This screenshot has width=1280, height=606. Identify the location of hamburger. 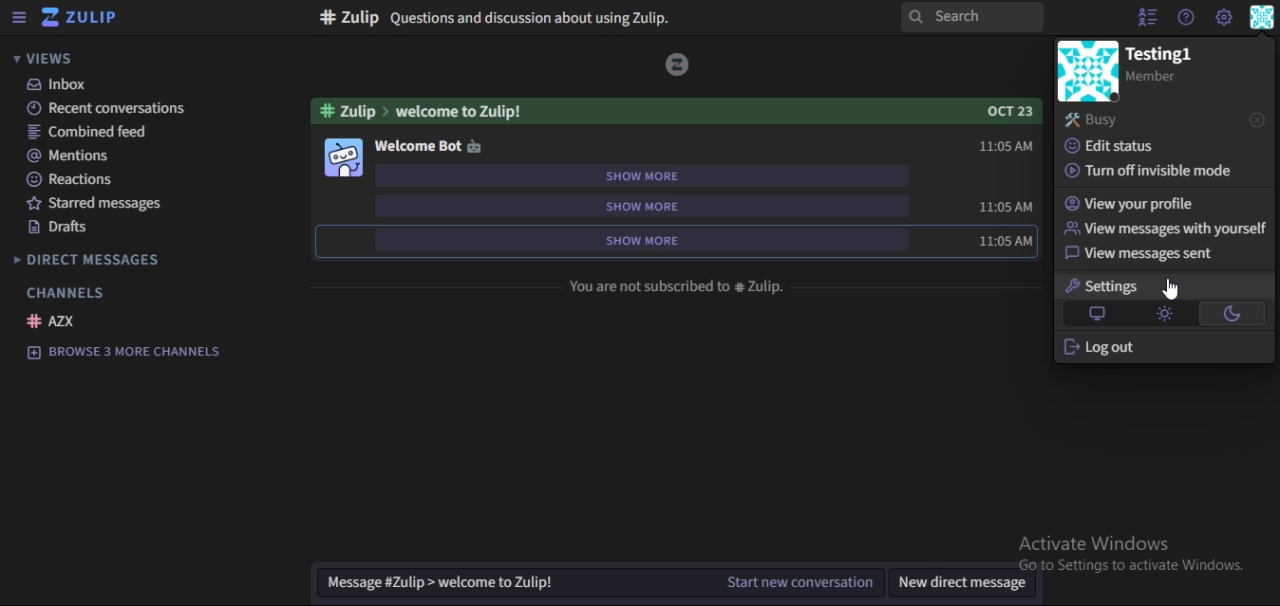
(18, 19).